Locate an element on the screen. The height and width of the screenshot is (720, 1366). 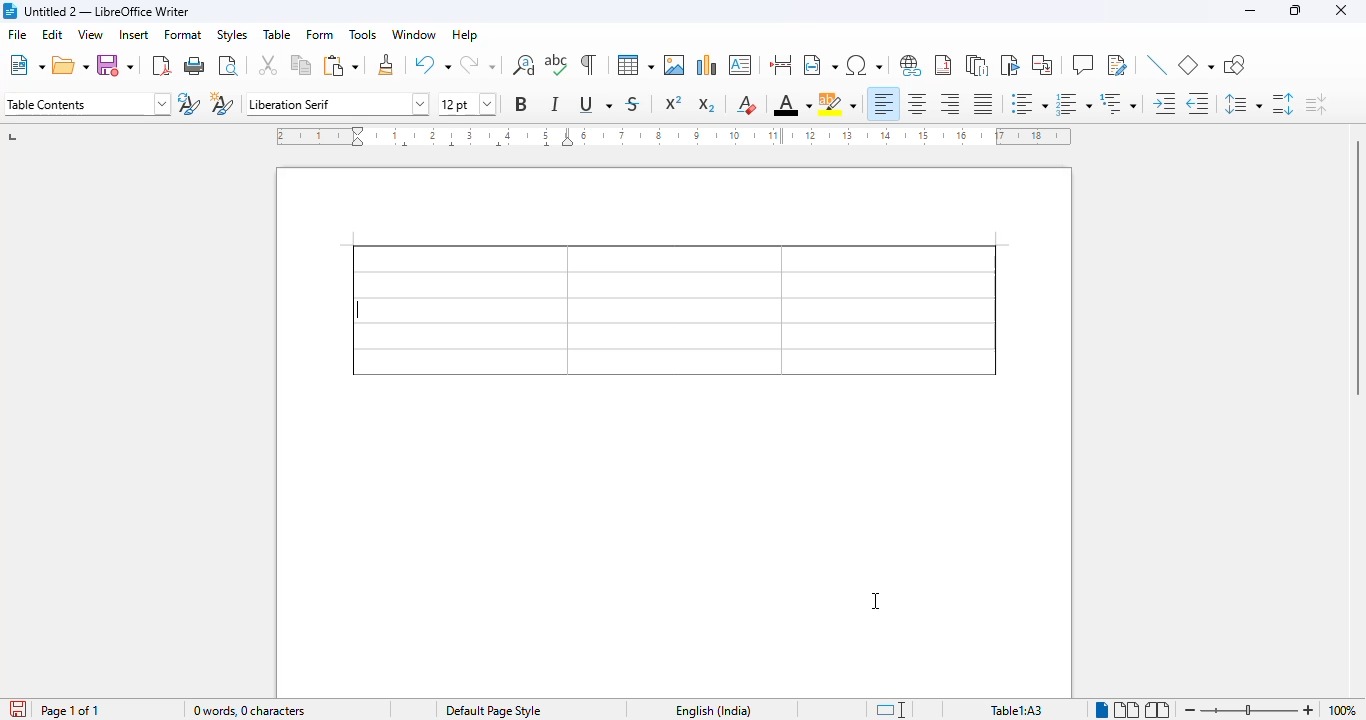
form is located at coordinates (321, 35).